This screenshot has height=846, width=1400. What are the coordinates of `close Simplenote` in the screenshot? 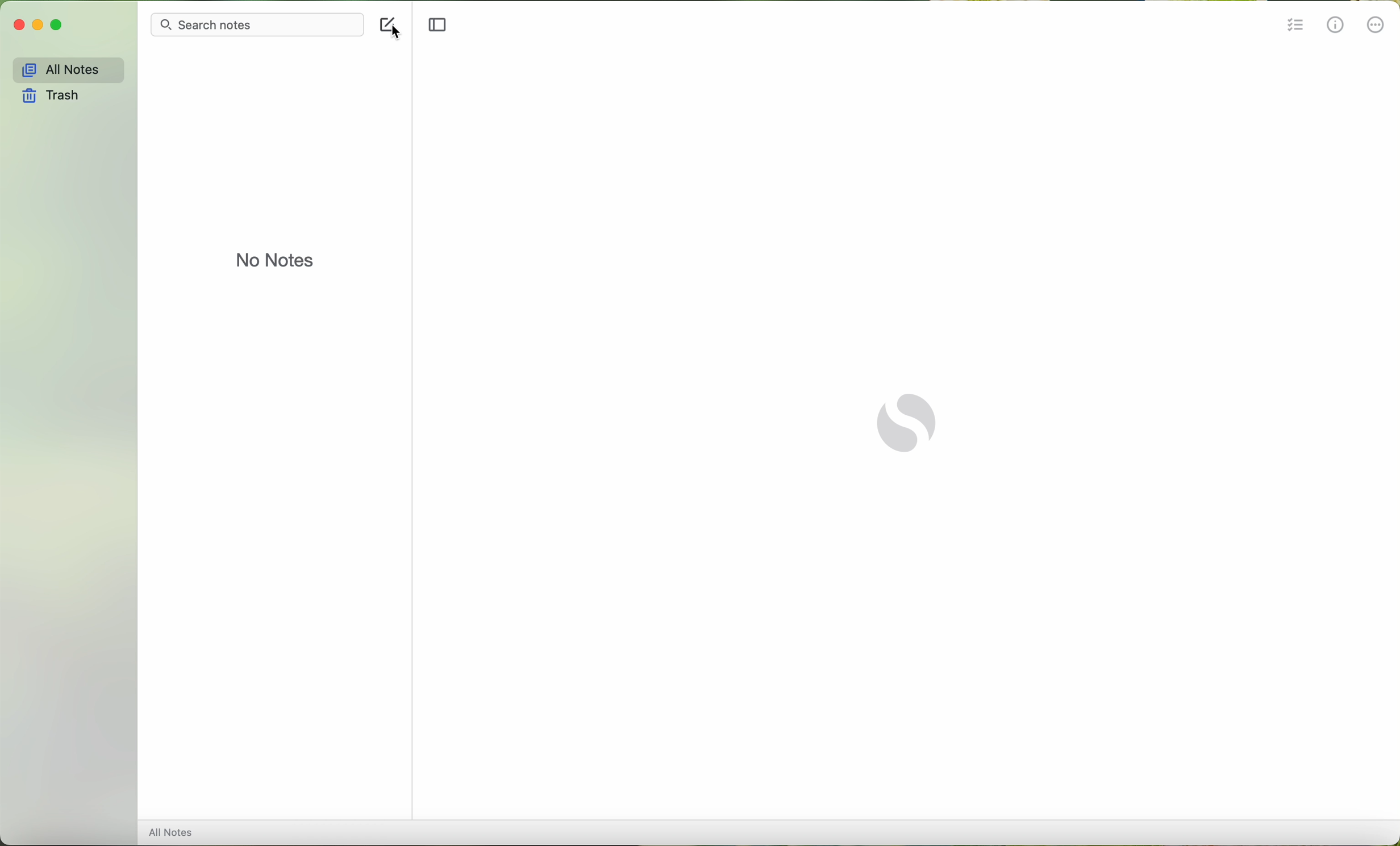 It's located at (18, 25).